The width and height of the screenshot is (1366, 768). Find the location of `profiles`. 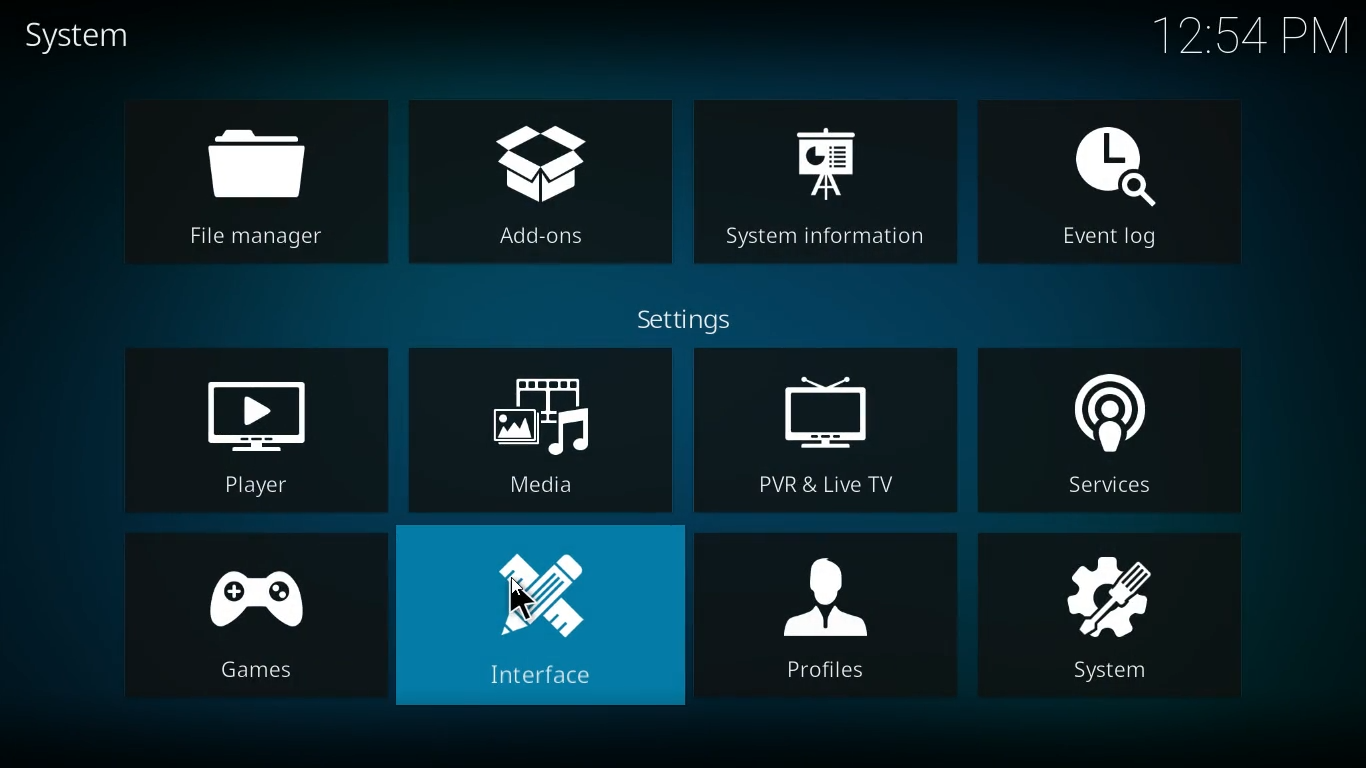

profiles is located at coordinates (826, 619).